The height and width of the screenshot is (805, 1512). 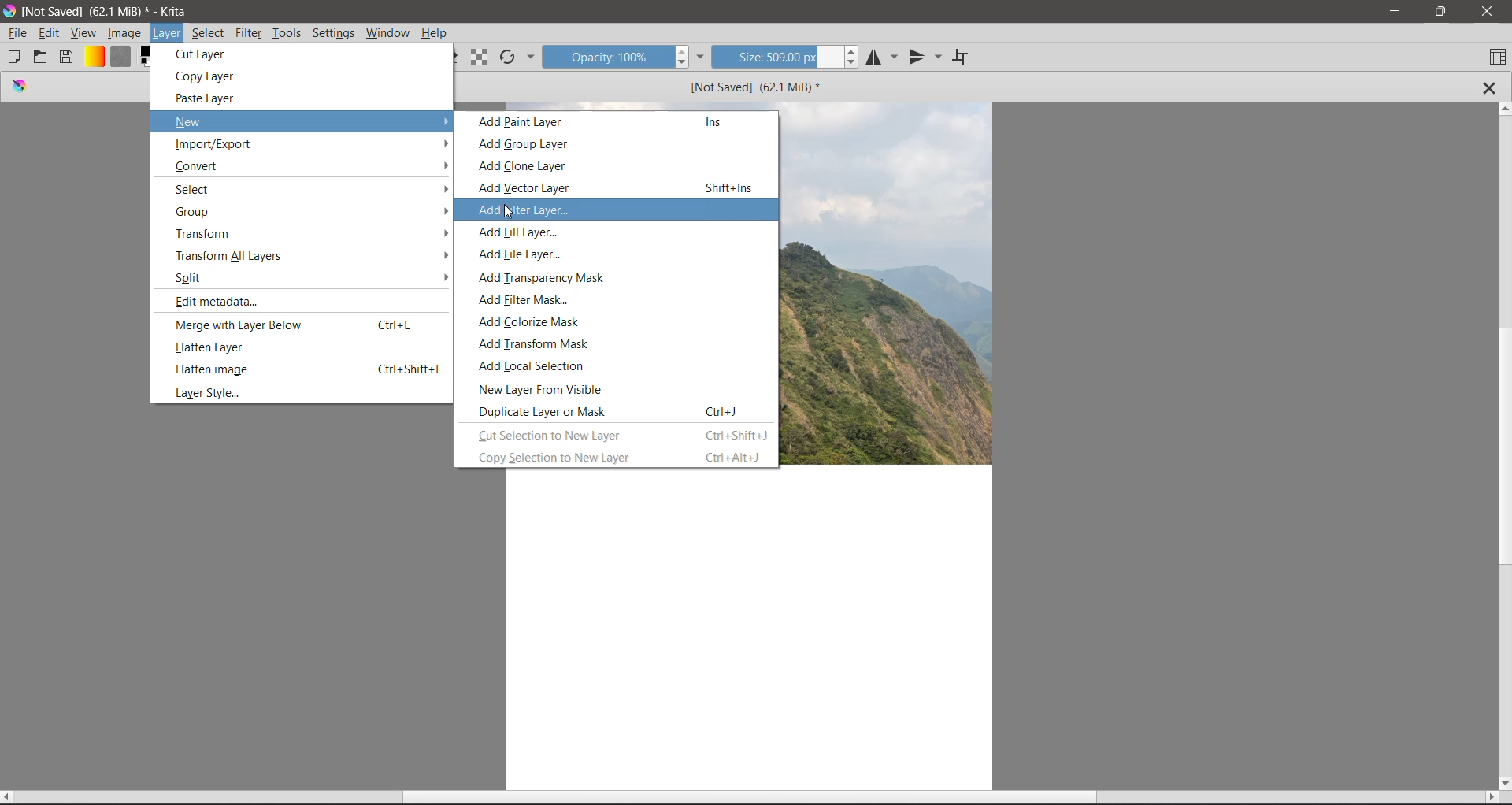 I want to click on Windows, so click(x=388, y=33).